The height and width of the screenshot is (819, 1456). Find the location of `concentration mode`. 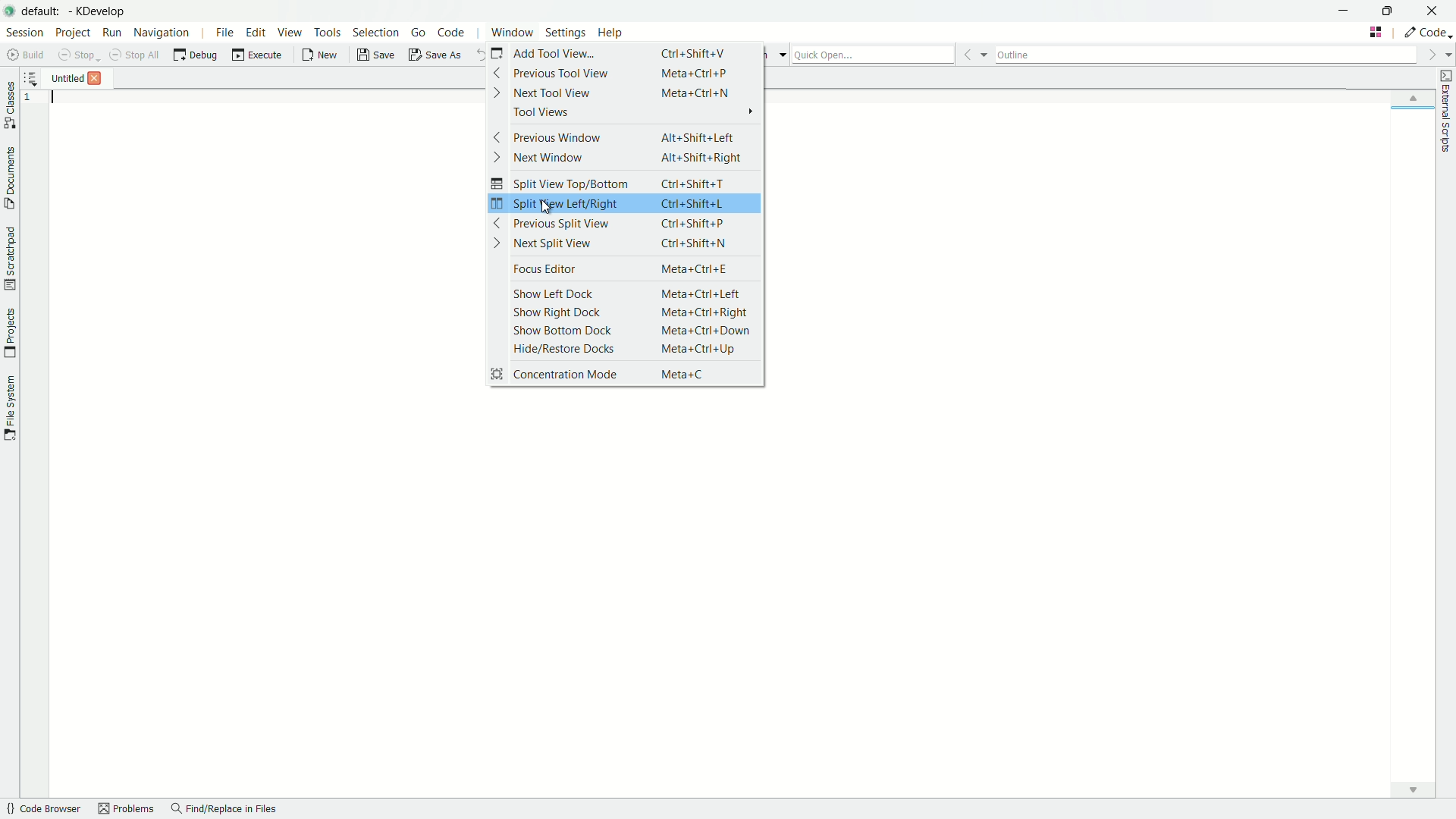

concentration mode is located at coordinates (557, 373).